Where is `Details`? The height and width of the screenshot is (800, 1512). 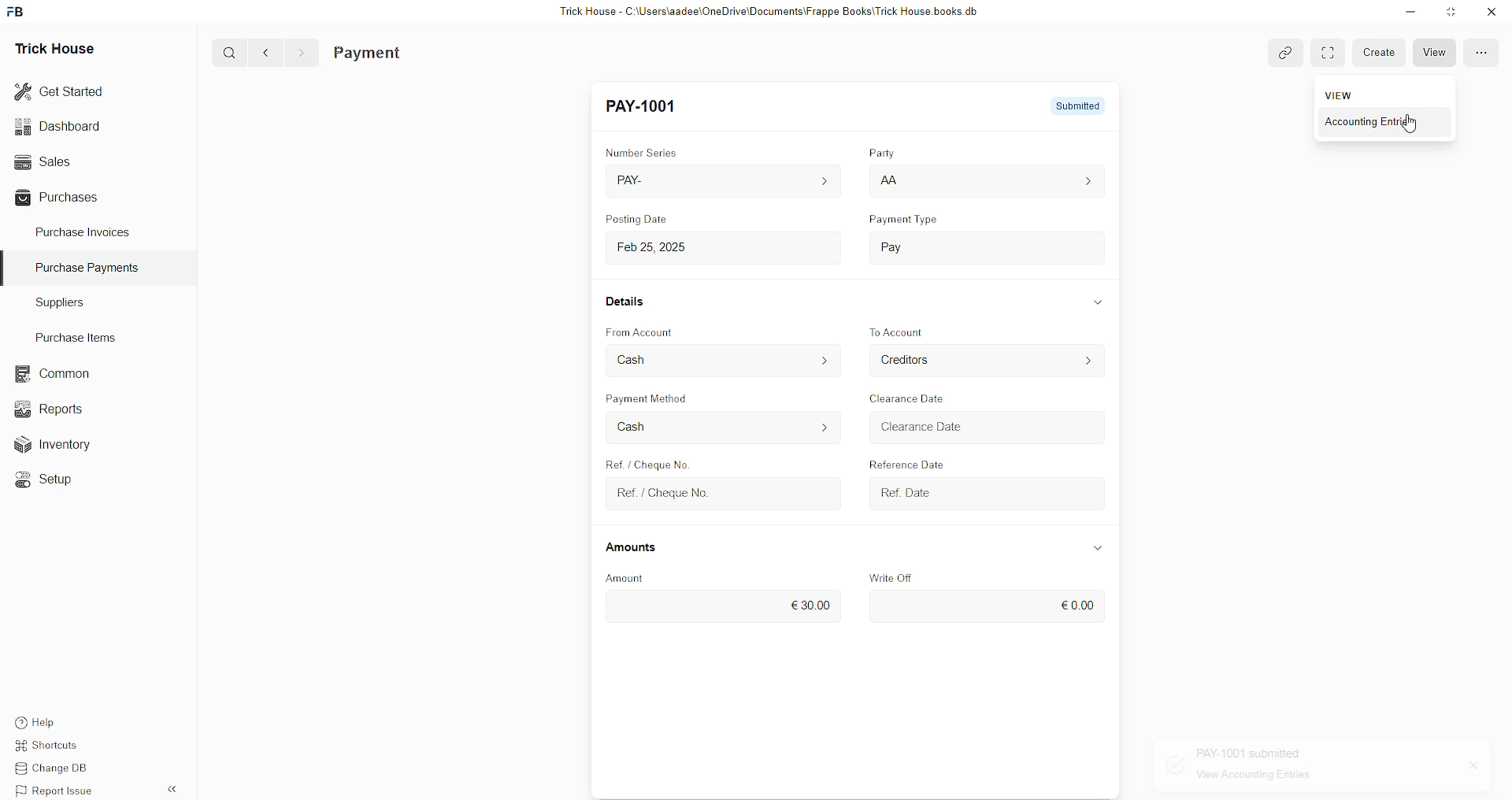 Details is located at coordinates (632, 306).